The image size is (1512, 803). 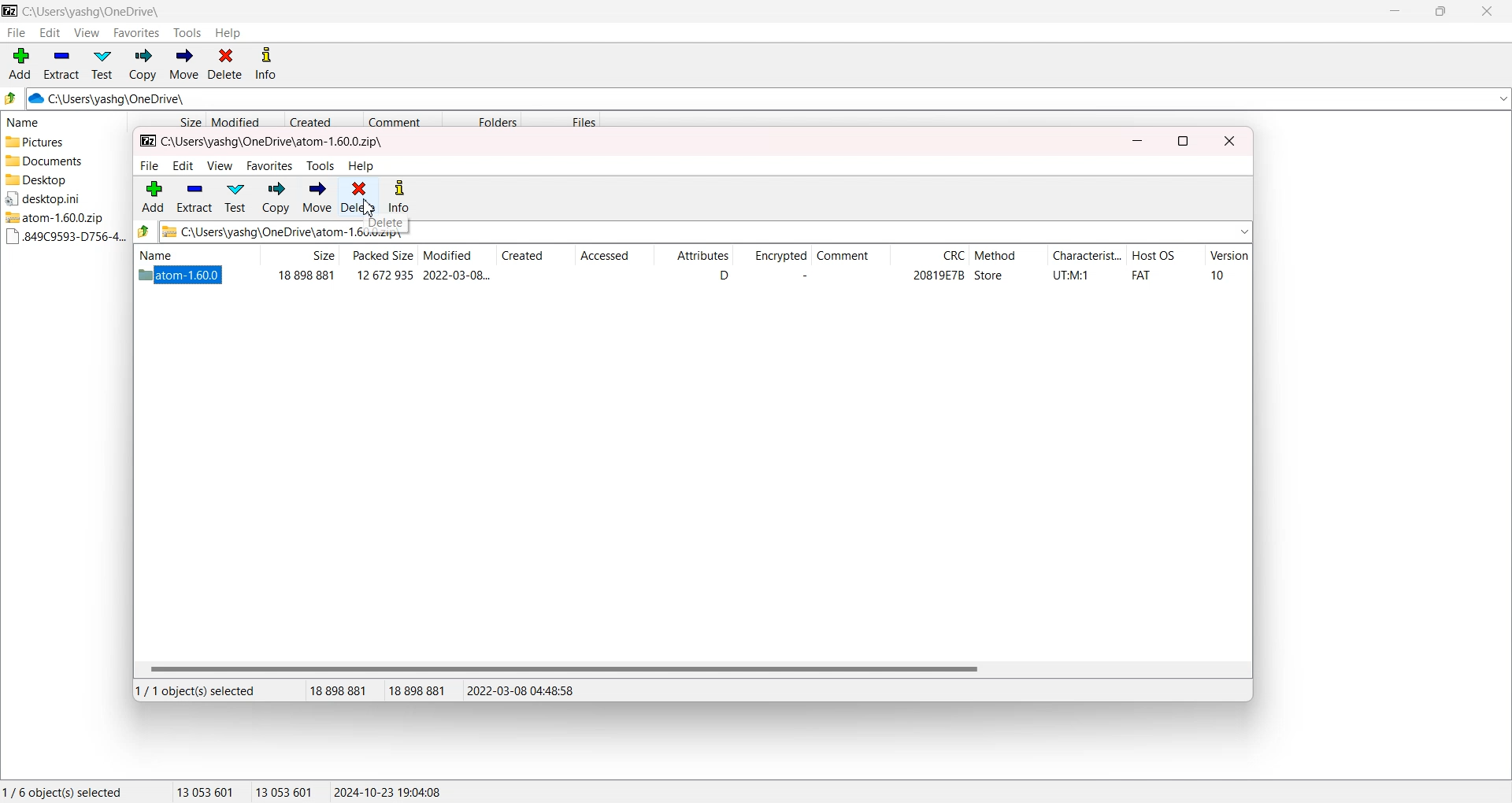 I want to click on move, so click(x=317, y=198).